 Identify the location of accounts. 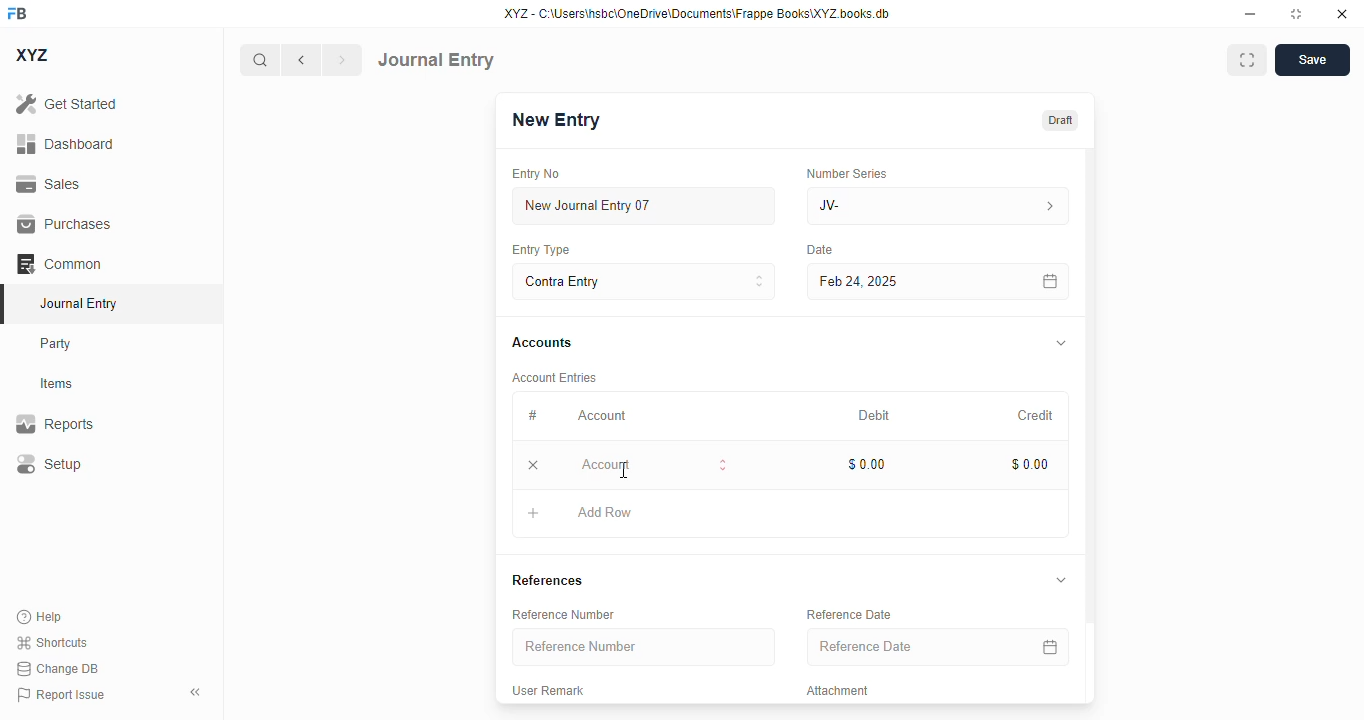
(542, 344).